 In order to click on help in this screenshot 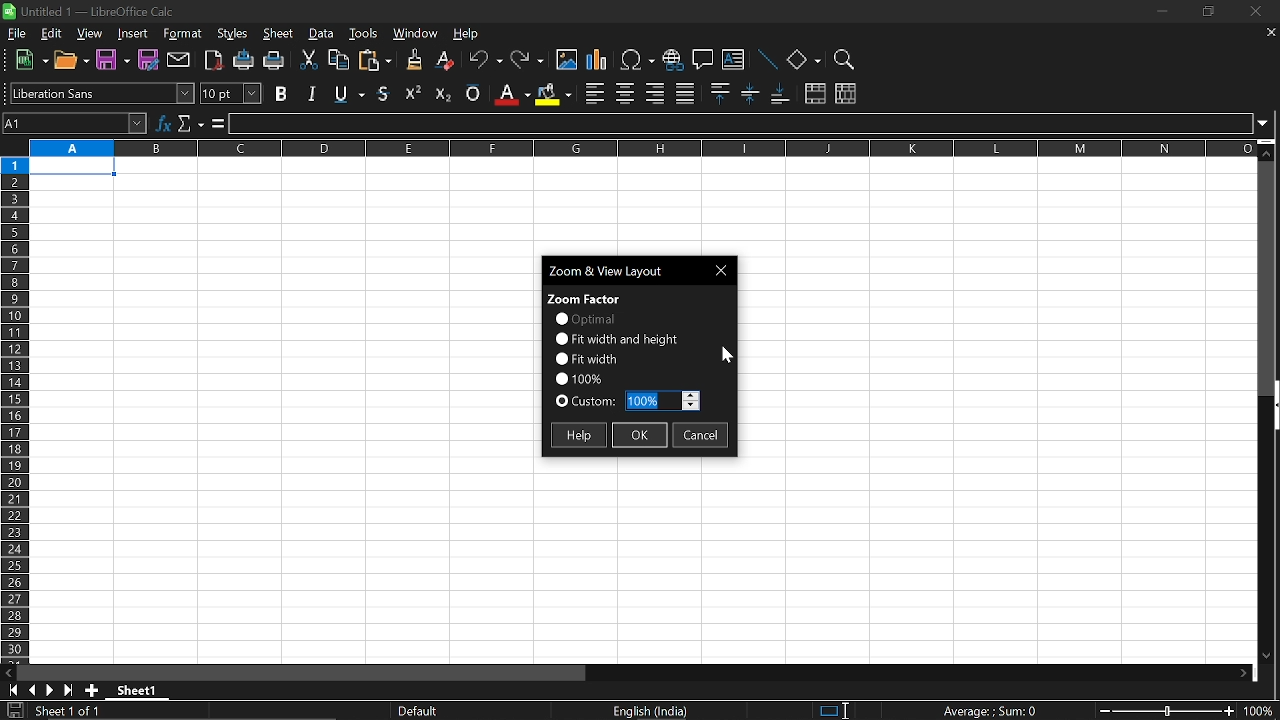, I will do `click(577, 435)`.